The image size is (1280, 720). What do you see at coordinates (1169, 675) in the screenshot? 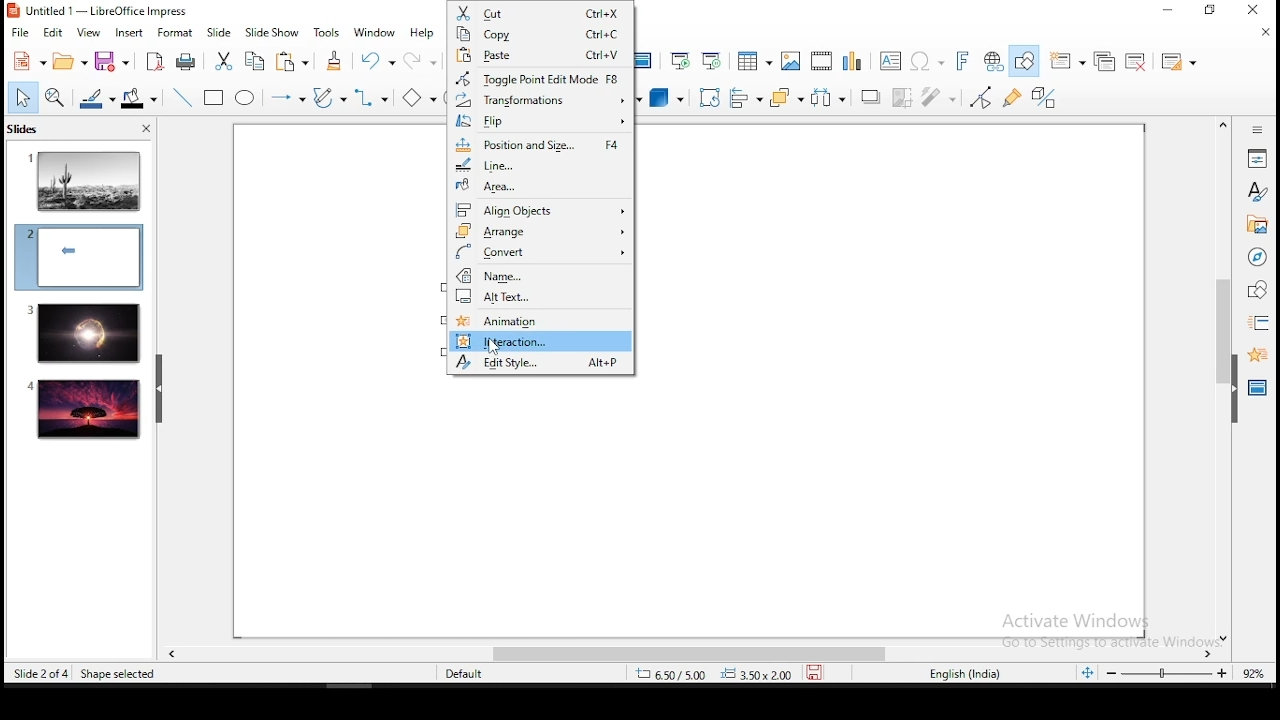
I see `zoom` at bounding box center [1169, 675].